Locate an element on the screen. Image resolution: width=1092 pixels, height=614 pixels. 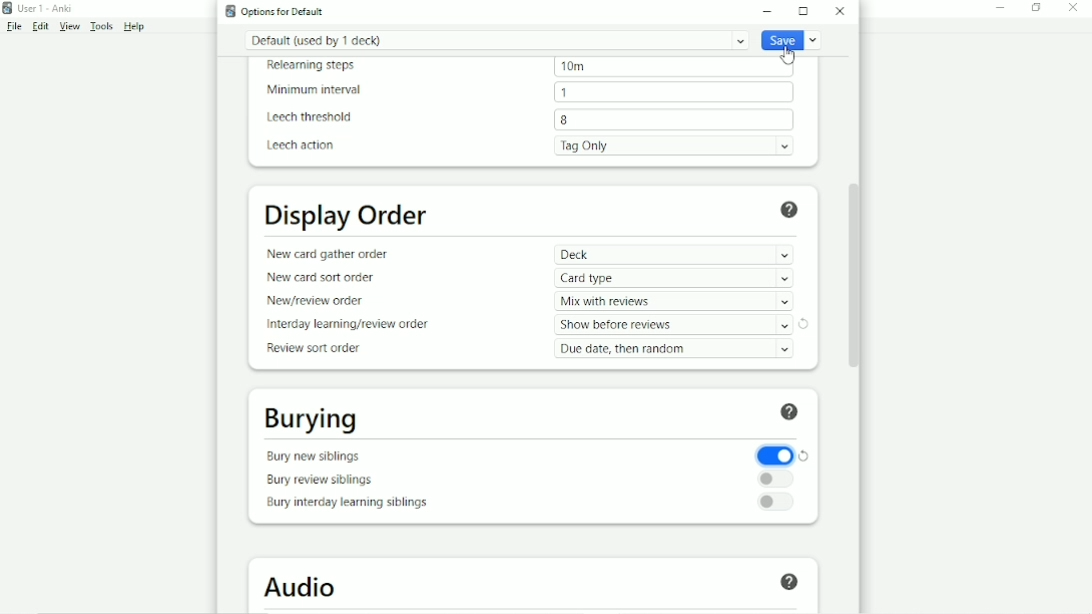
Minimize is located at coordinates (770, 11).